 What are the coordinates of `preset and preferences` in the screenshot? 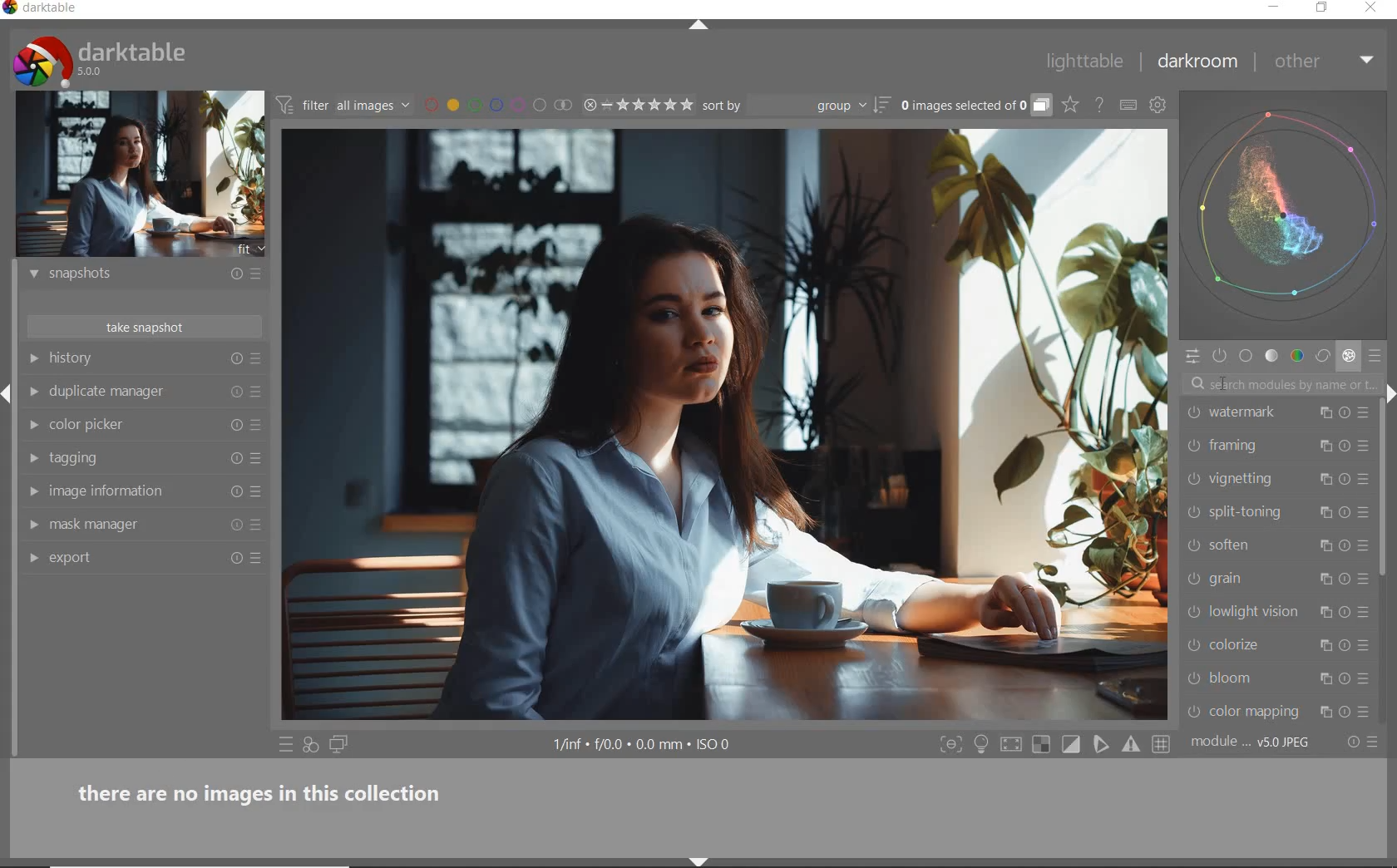 It's located at (1364, 512).